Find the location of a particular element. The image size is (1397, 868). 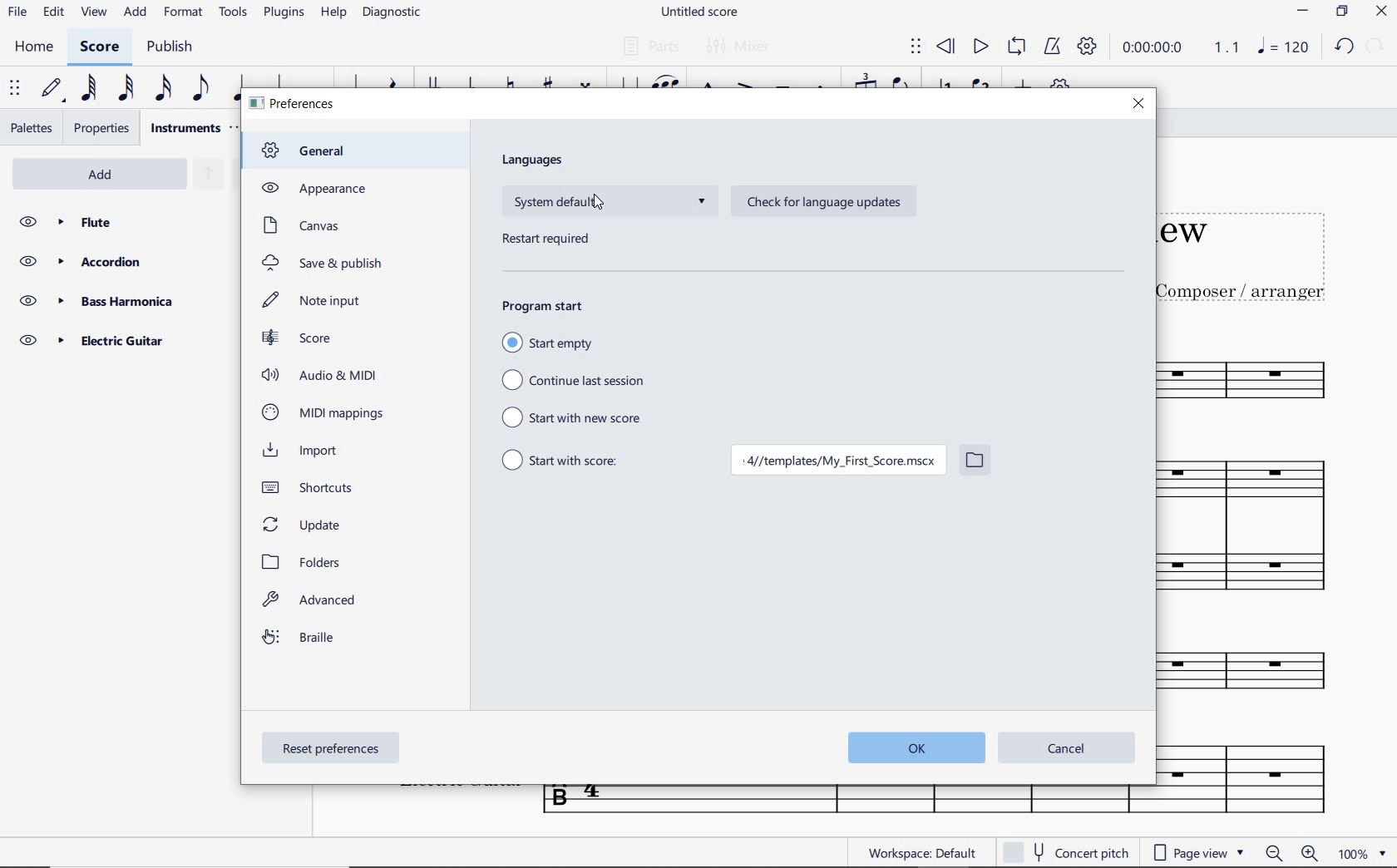

continue last session is located at coordinates (575, 381).